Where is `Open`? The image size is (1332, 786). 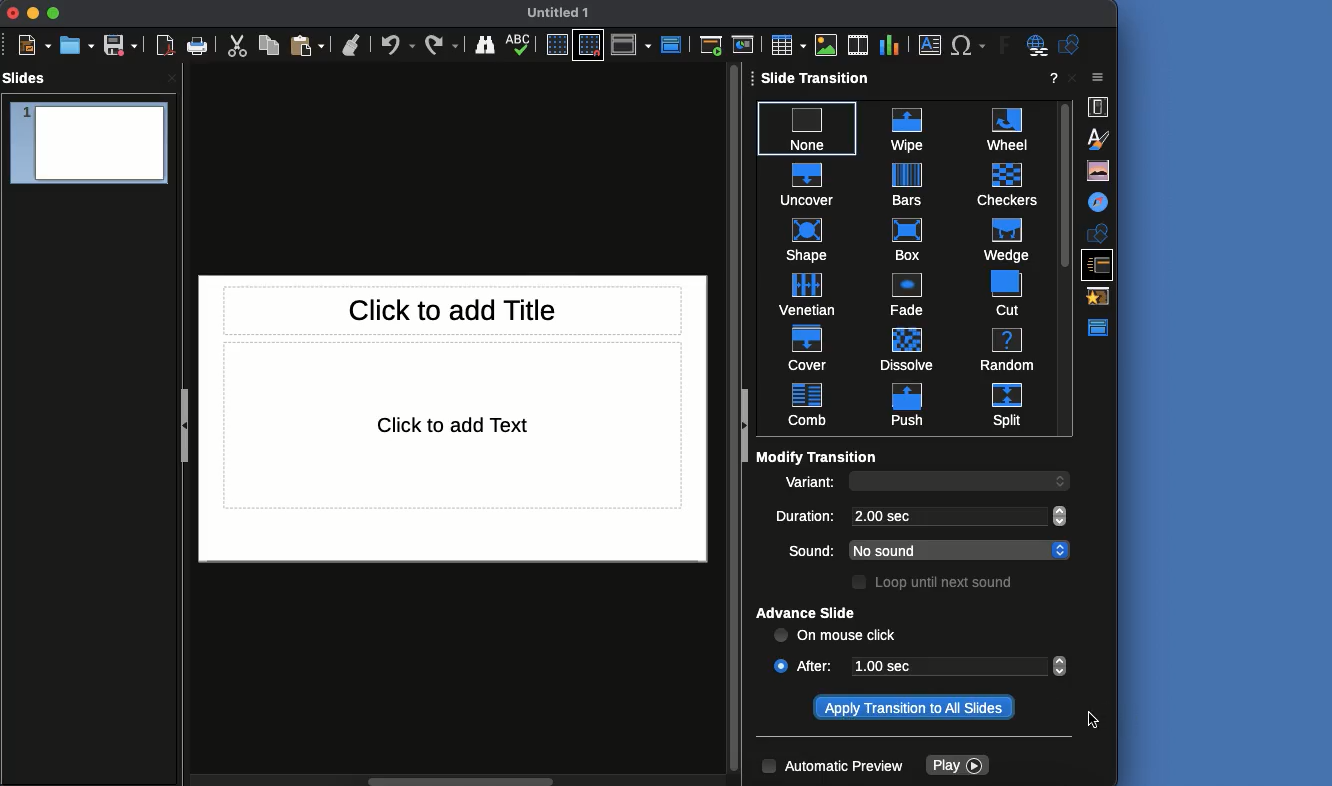 Open is located at coordinates (78, 43).